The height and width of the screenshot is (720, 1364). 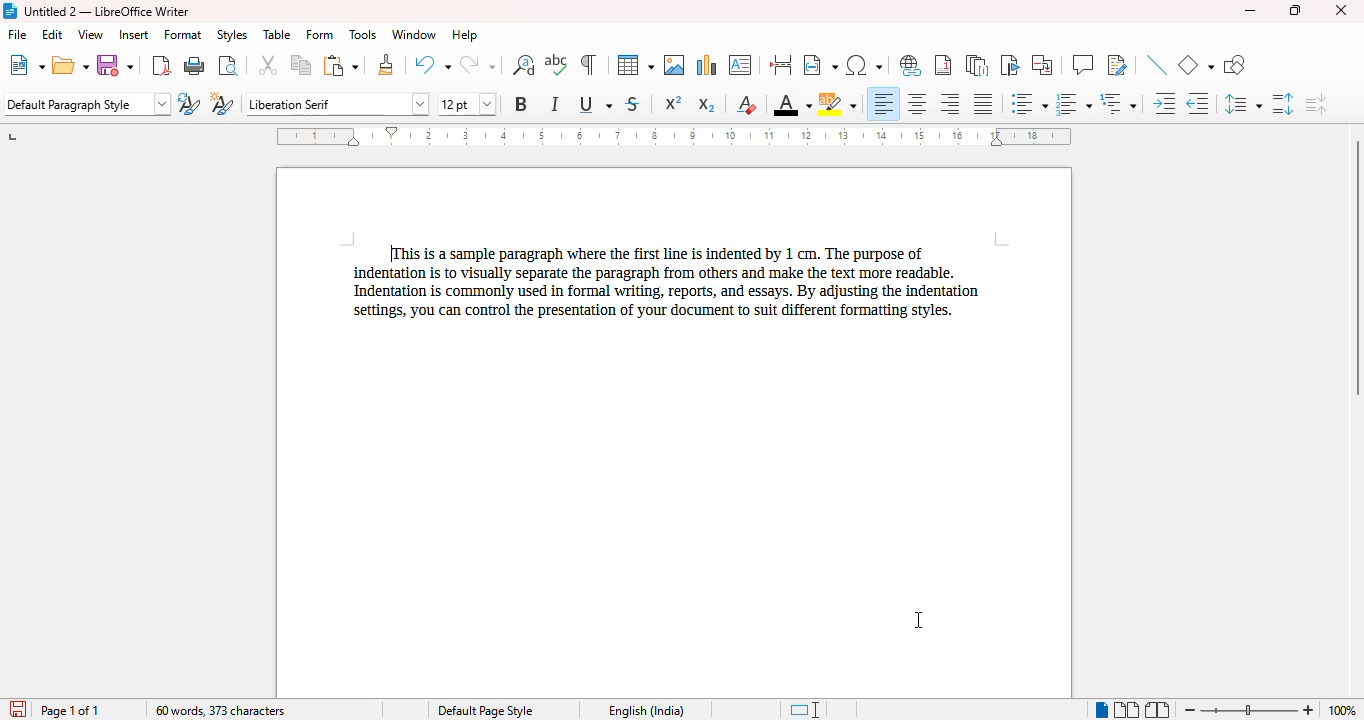 I want to click on ruler, so click(x=673, y=136).